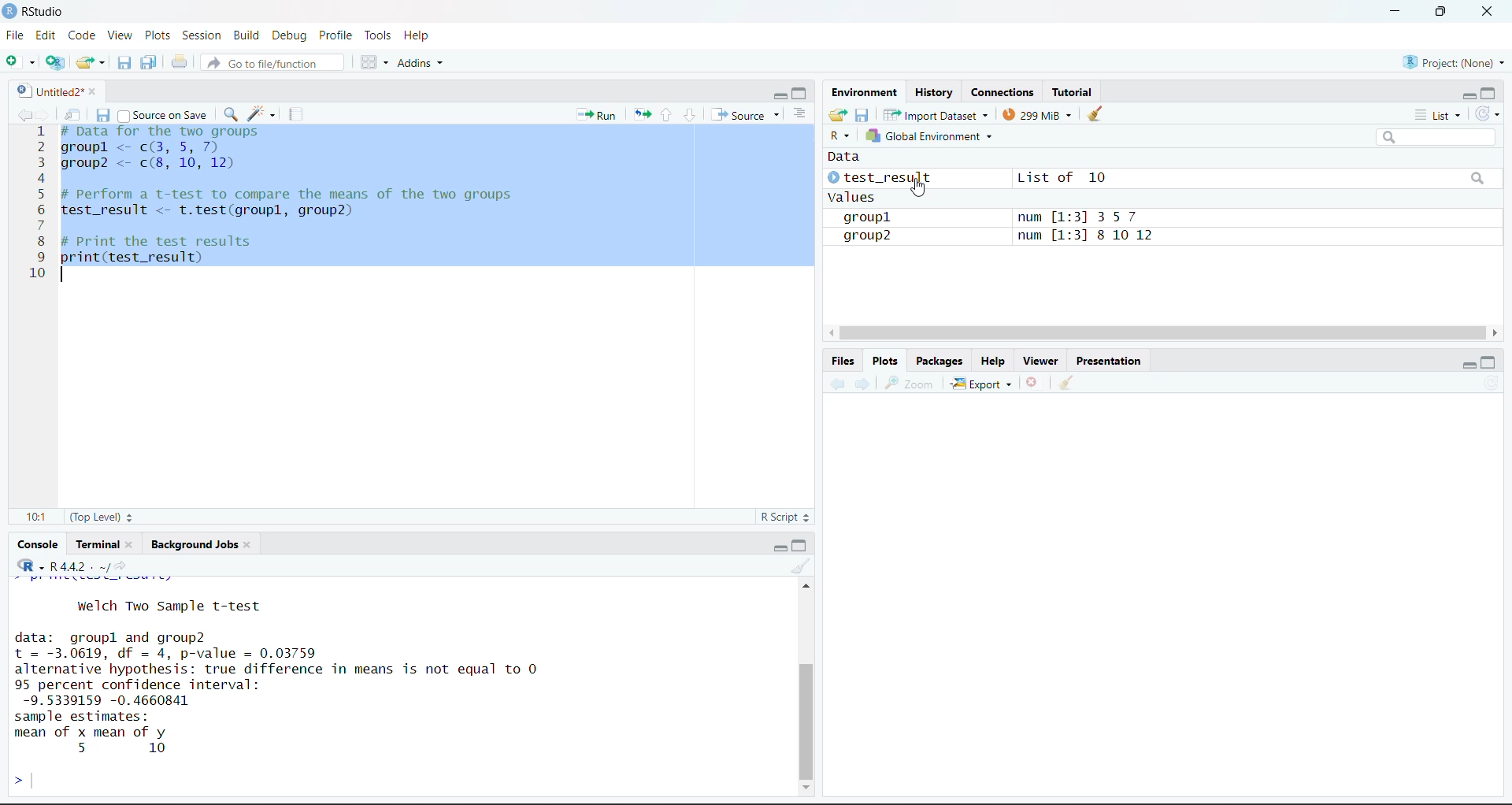 This screenshot has width=1512, height=805. What do you see at coordinates (983, 383) in the screenshot?
I see `export` at bounding box center [983, 383].